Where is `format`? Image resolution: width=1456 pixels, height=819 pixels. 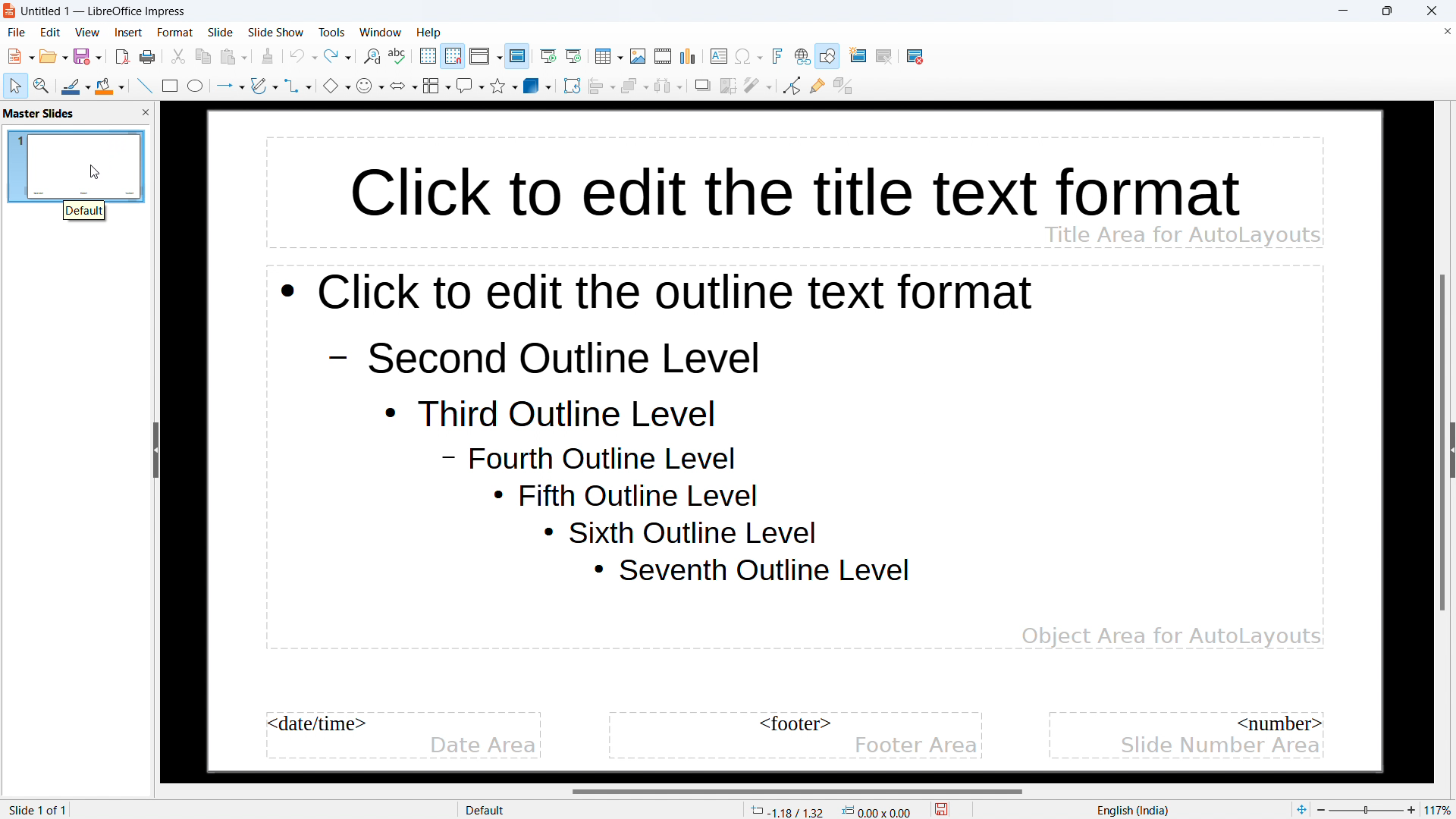 format is located at coordinates (175, 33).